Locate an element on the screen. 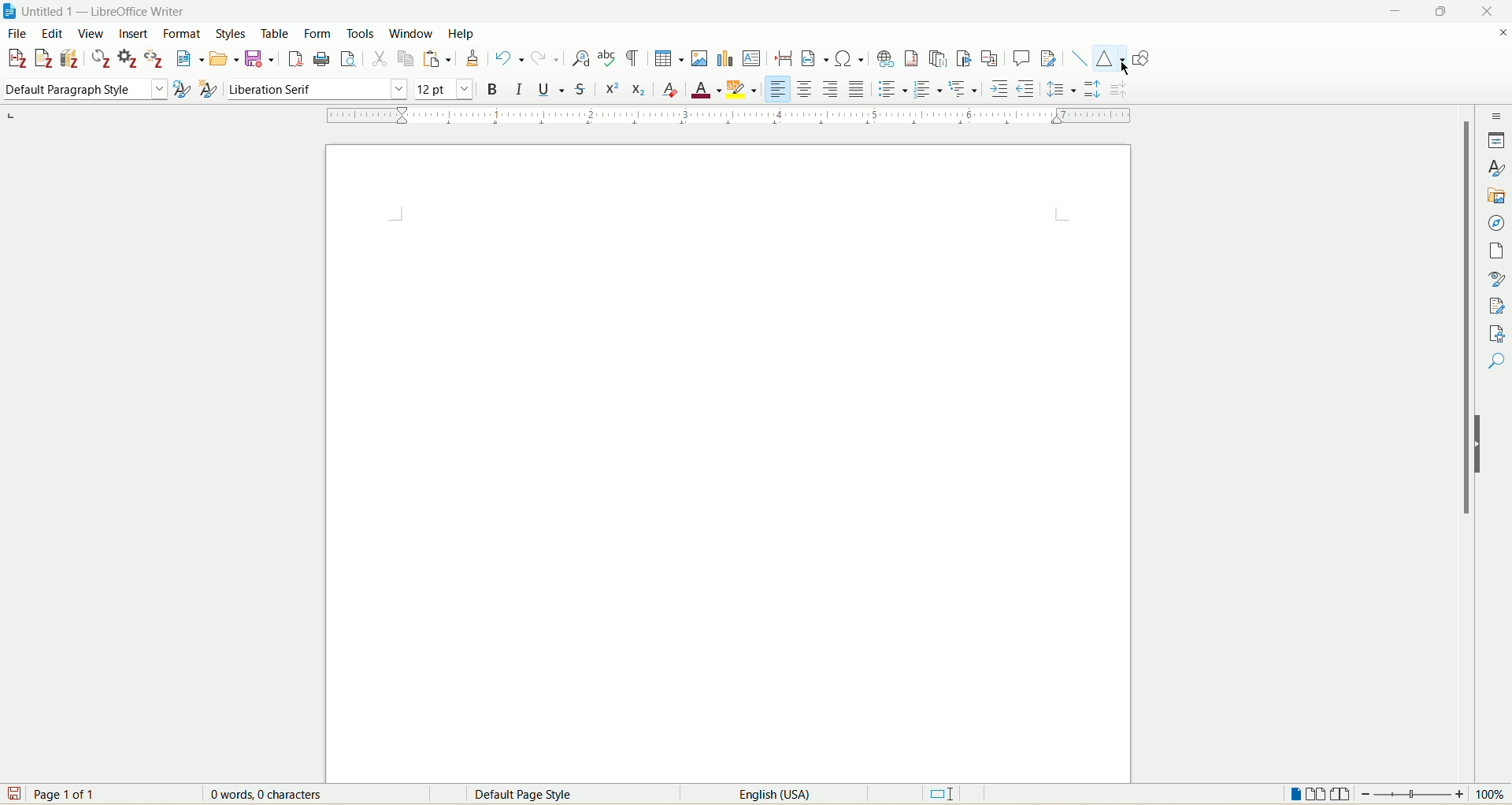  style inspector is located at coordinates (1497, 276).